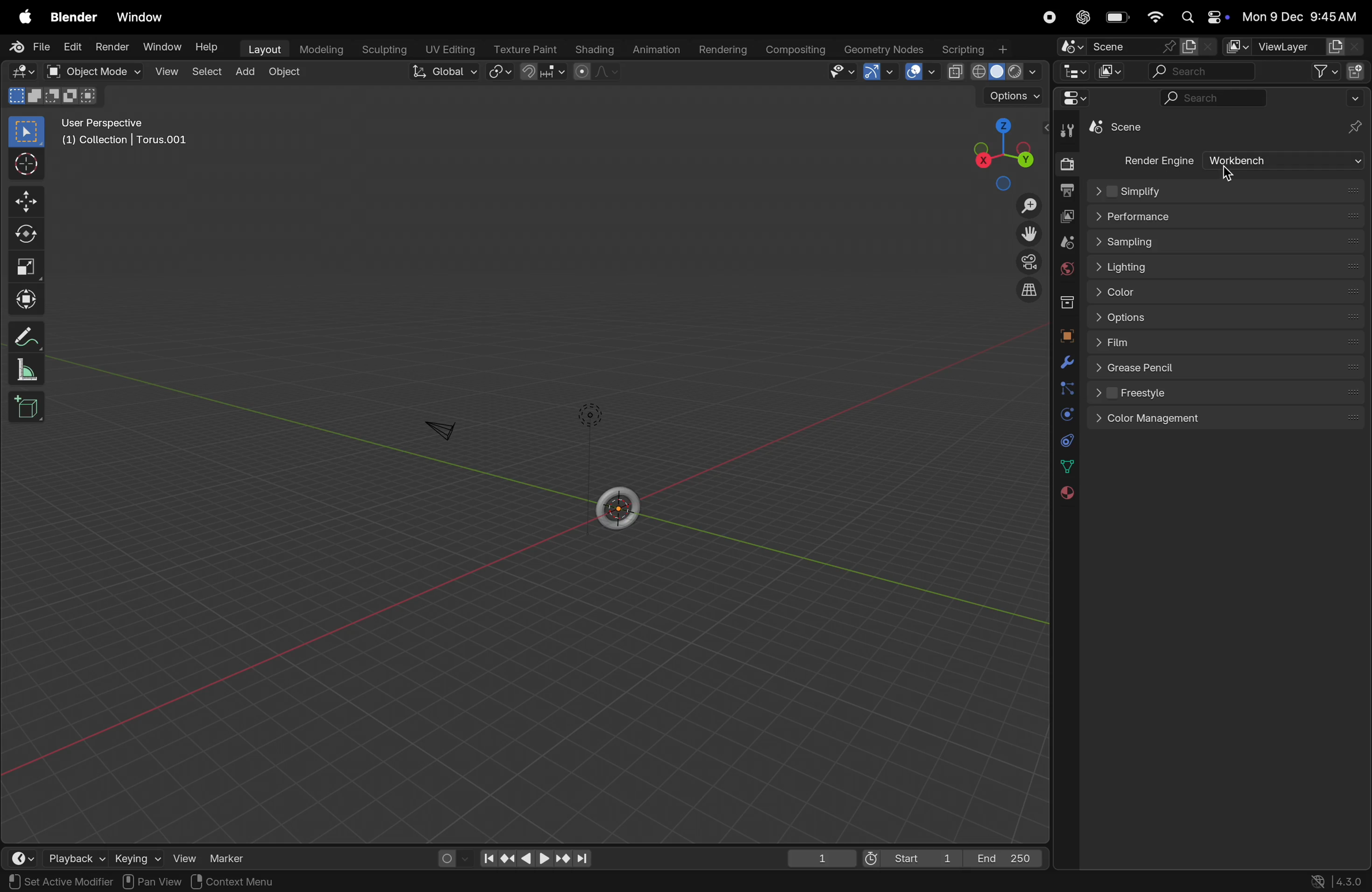 This screenshot has height=892, width=1372. What do you see at coordinates (233, 860) in the screenshot?
I see `marker` at bounding box center [233, 860].